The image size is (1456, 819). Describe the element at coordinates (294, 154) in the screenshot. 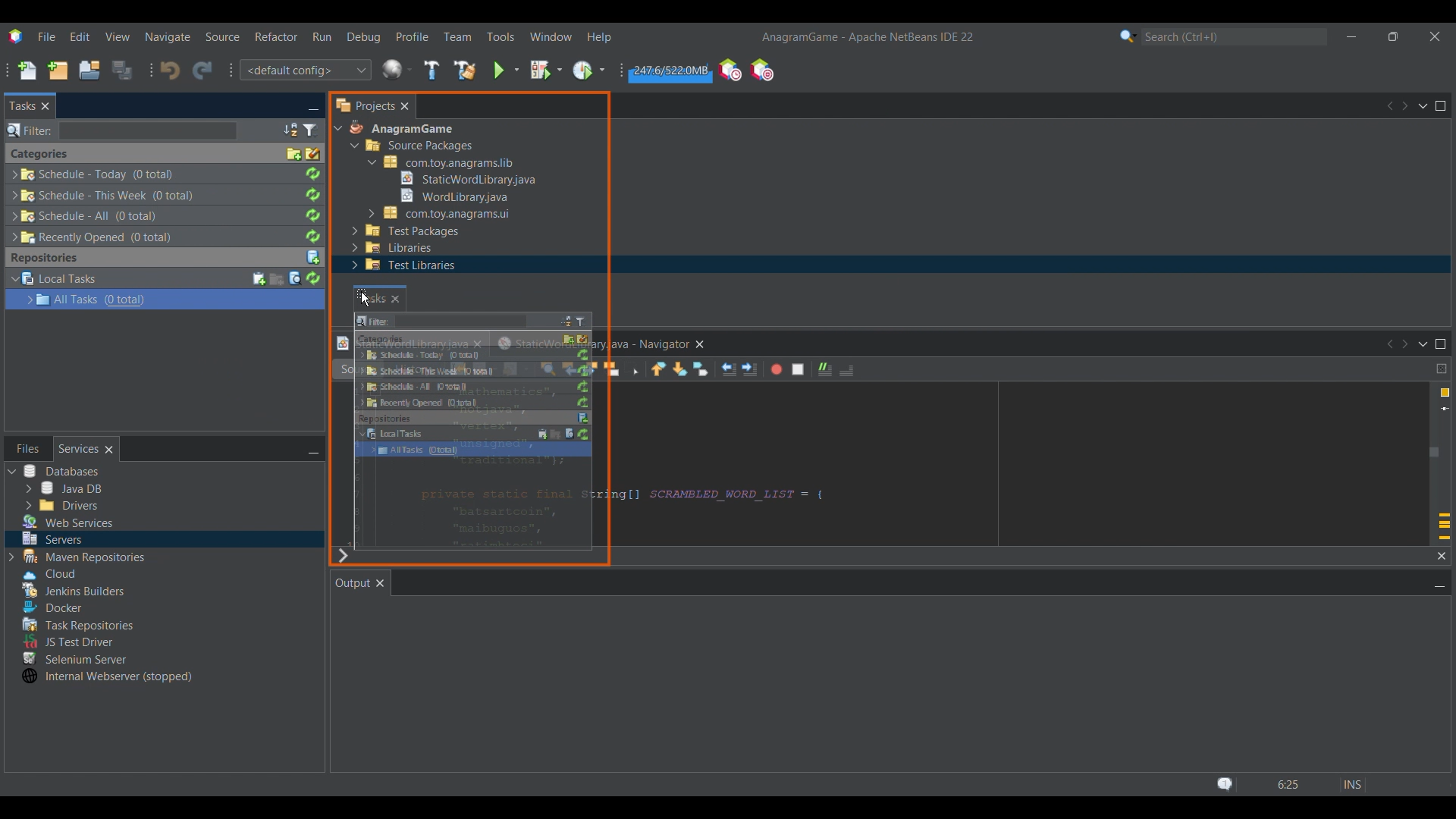

I see `Create category` at that location.